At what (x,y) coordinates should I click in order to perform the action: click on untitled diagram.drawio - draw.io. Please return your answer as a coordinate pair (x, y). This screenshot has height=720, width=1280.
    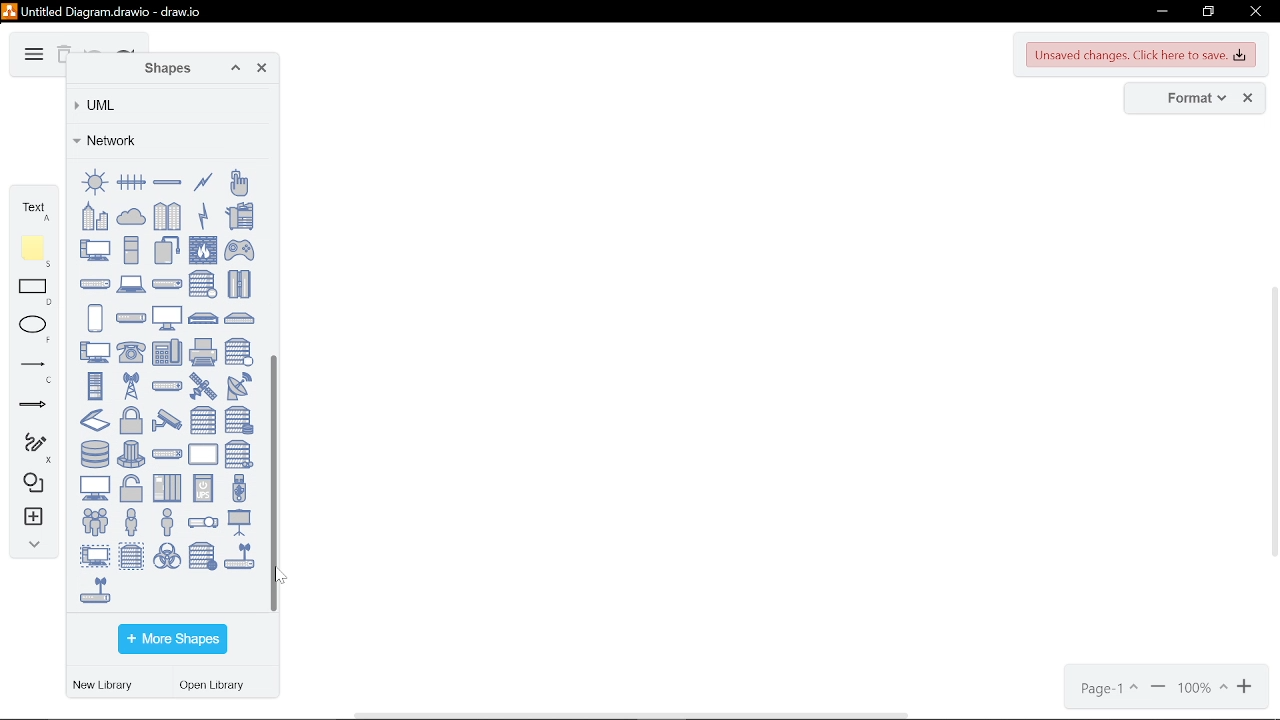
    Looking at the image, I should click on (114, 10).